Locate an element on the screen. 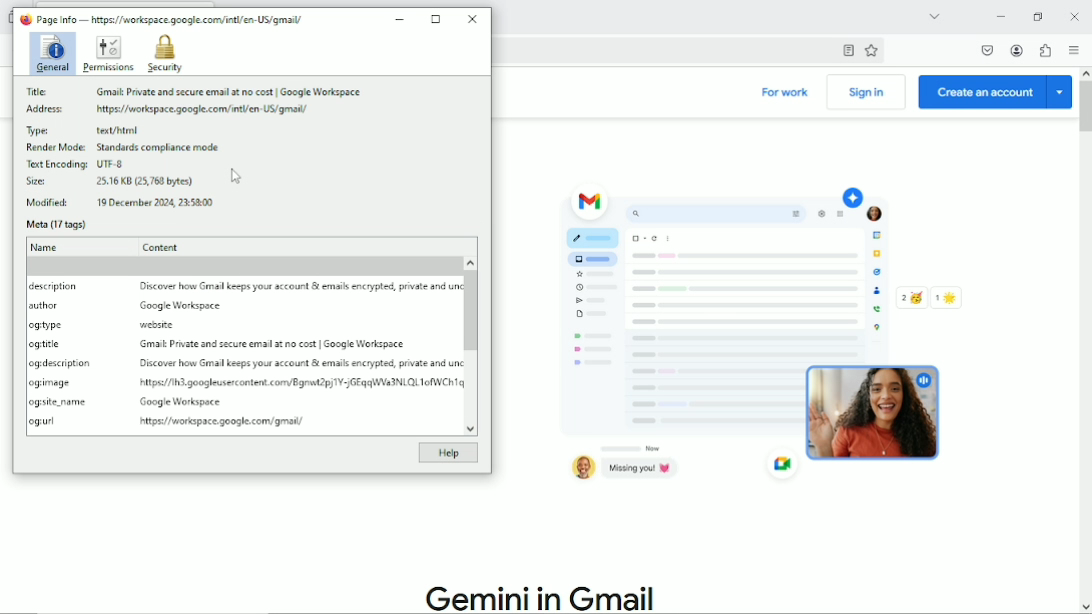  text/html is located at coordinates (119, 130).